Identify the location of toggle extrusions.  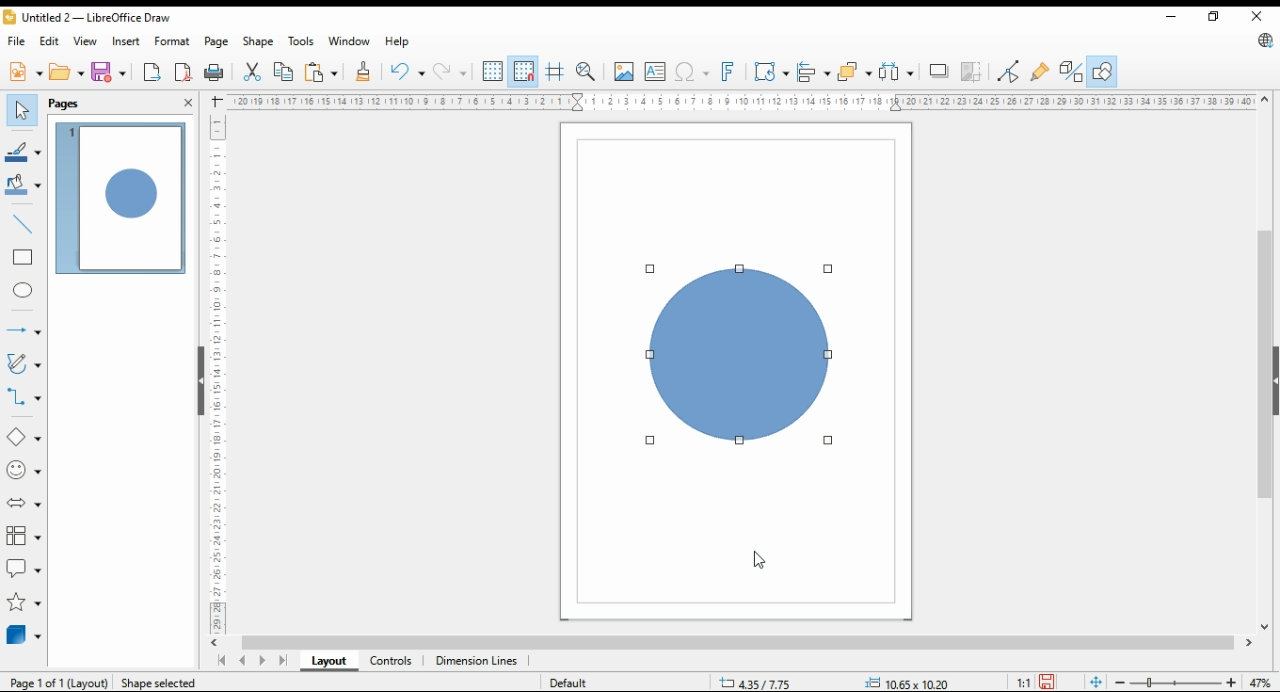
(1071, 70).